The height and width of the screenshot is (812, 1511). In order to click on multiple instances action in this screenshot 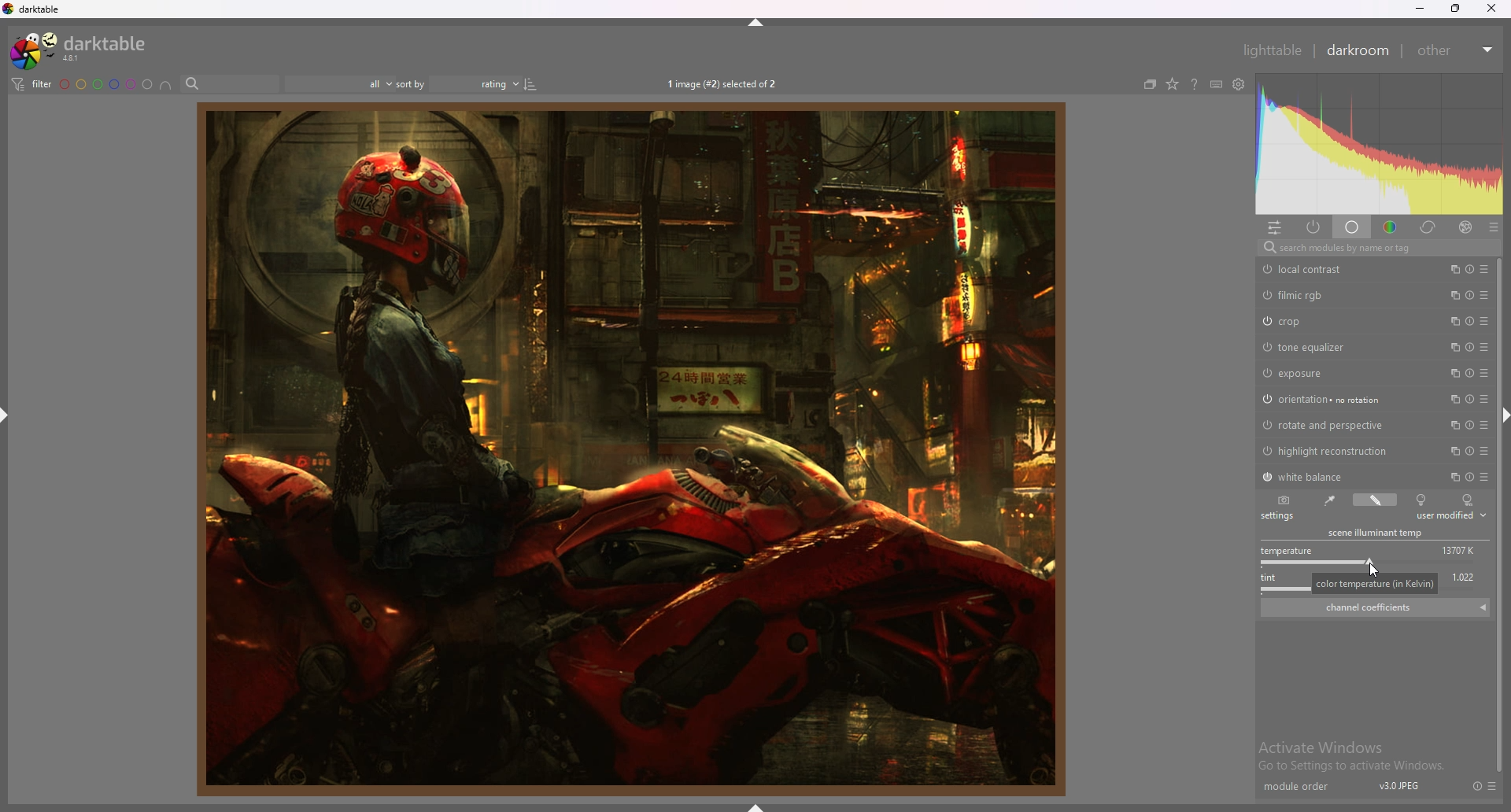, I will do `click(1454, 294)`.